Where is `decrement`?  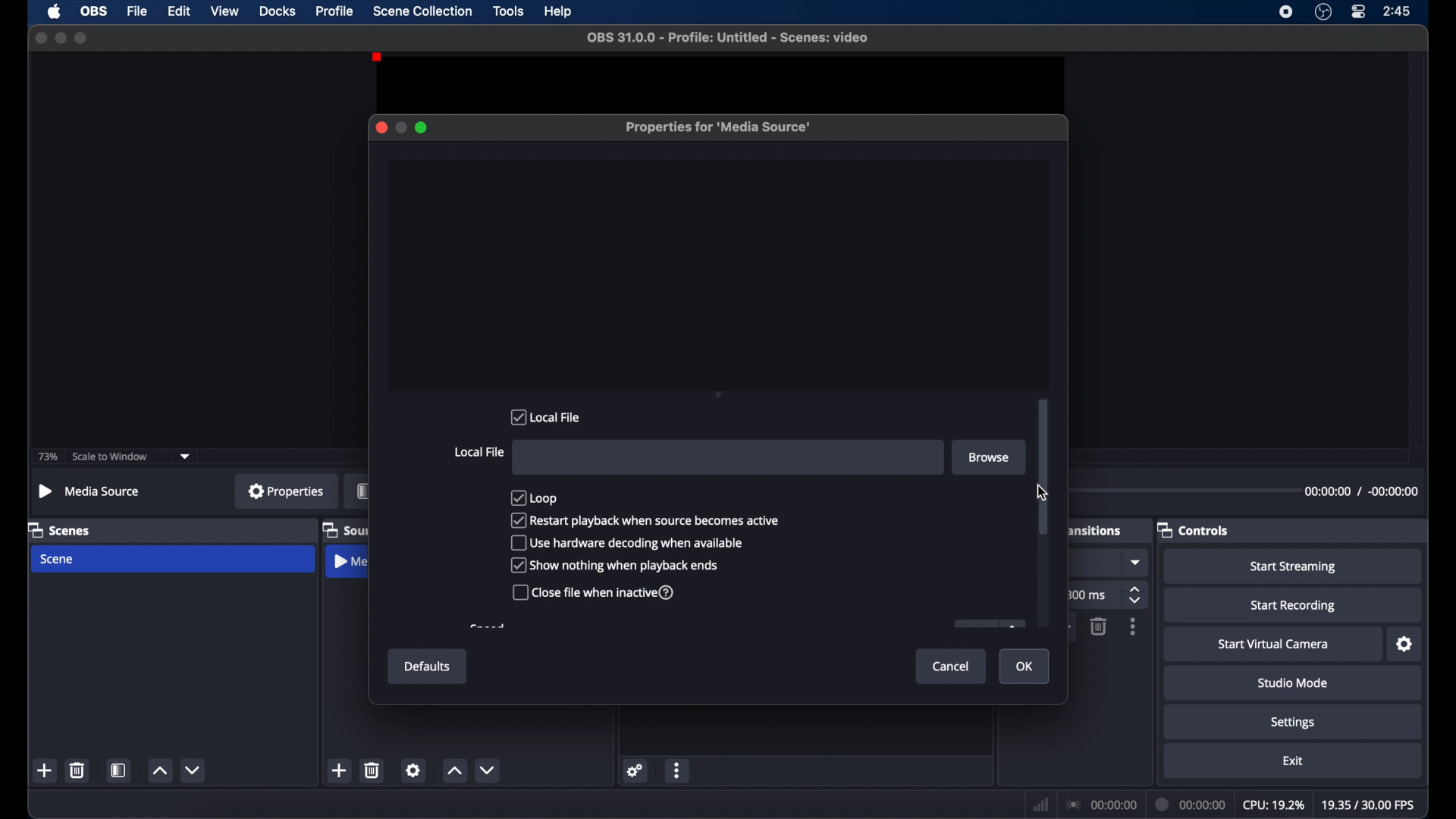 decrement is located at coordinates (194, 770).